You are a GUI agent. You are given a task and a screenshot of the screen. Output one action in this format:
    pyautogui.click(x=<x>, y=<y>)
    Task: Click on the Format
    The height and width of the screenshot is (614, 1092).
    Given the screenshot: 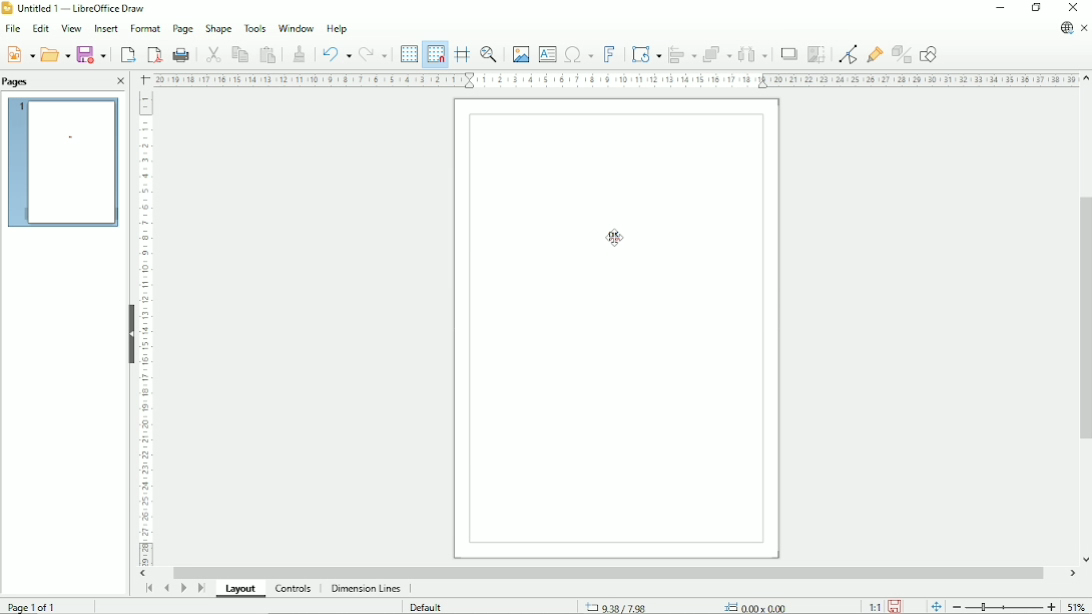 What is the action you would take?
    pyautogui.click(x=145, y=29)
    